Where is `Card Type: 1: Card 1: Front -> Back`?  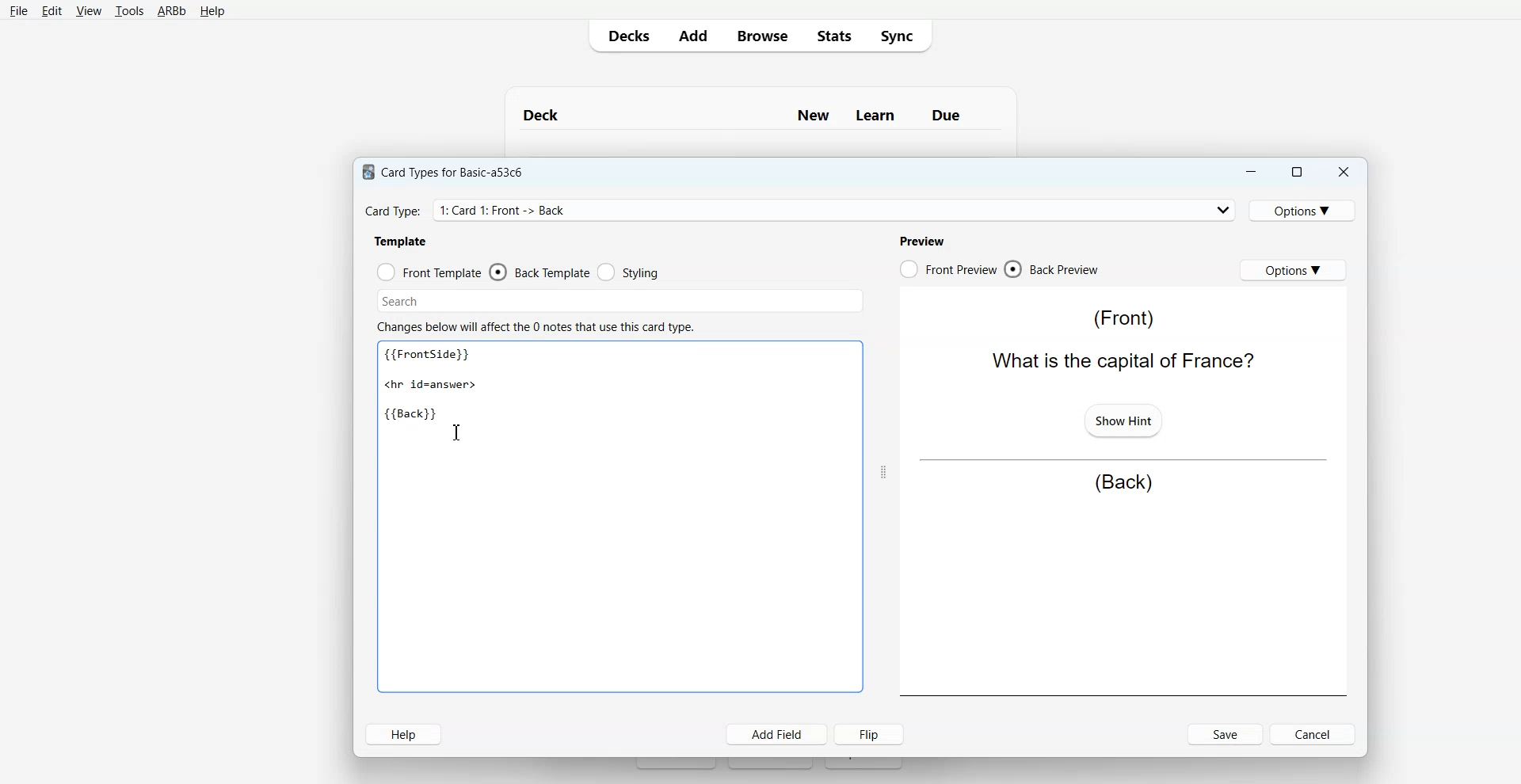 Card Type: 1: Card 1: Front -> Back is located at coordinates (509, 210).